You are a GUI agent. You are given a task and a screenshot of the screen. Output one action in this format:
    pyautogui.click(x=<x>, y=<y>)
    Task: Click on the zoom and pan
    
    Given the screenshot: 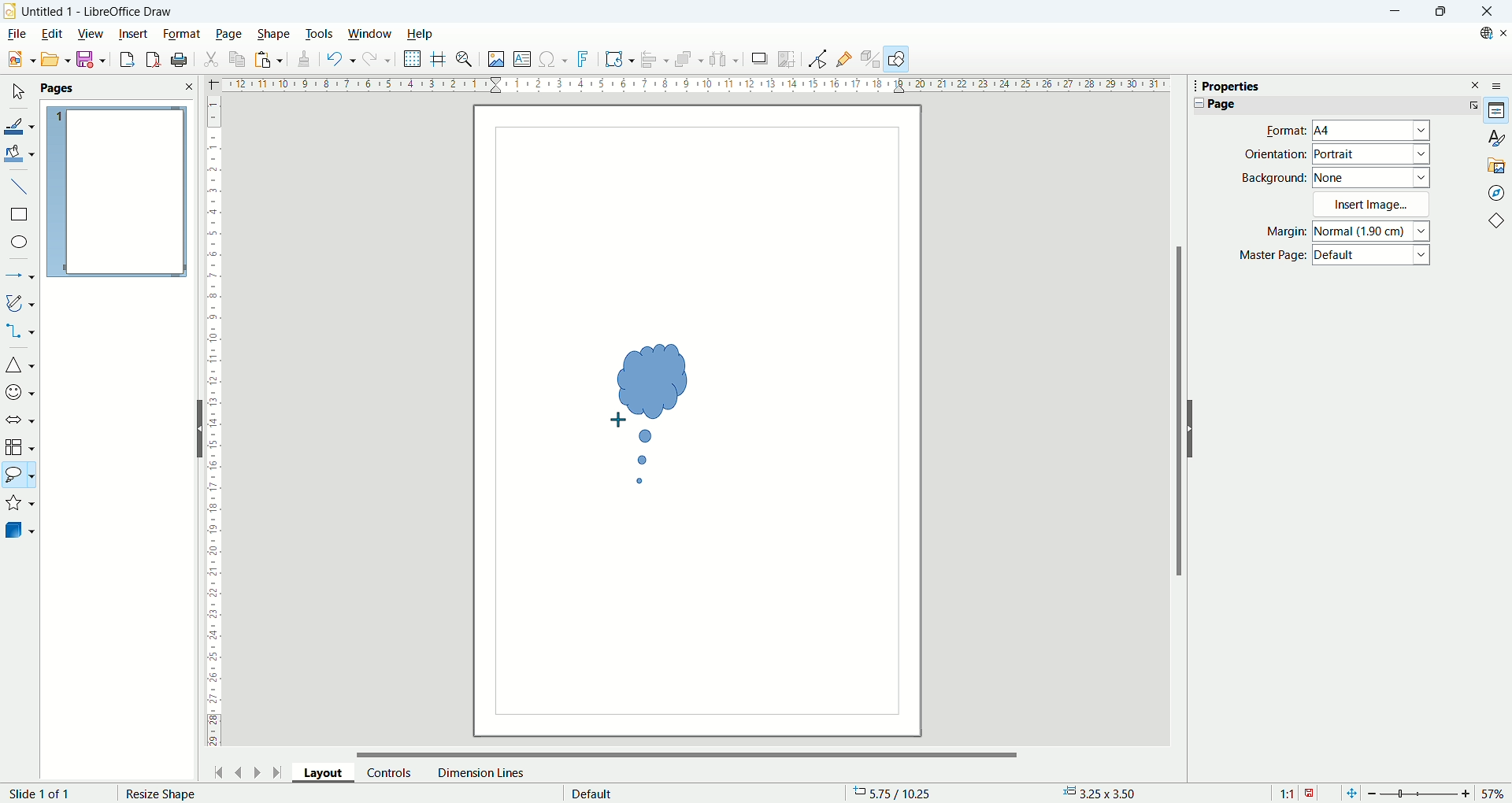 What is the action you would take?
    pyautogui.click(x=465, y=61)
    